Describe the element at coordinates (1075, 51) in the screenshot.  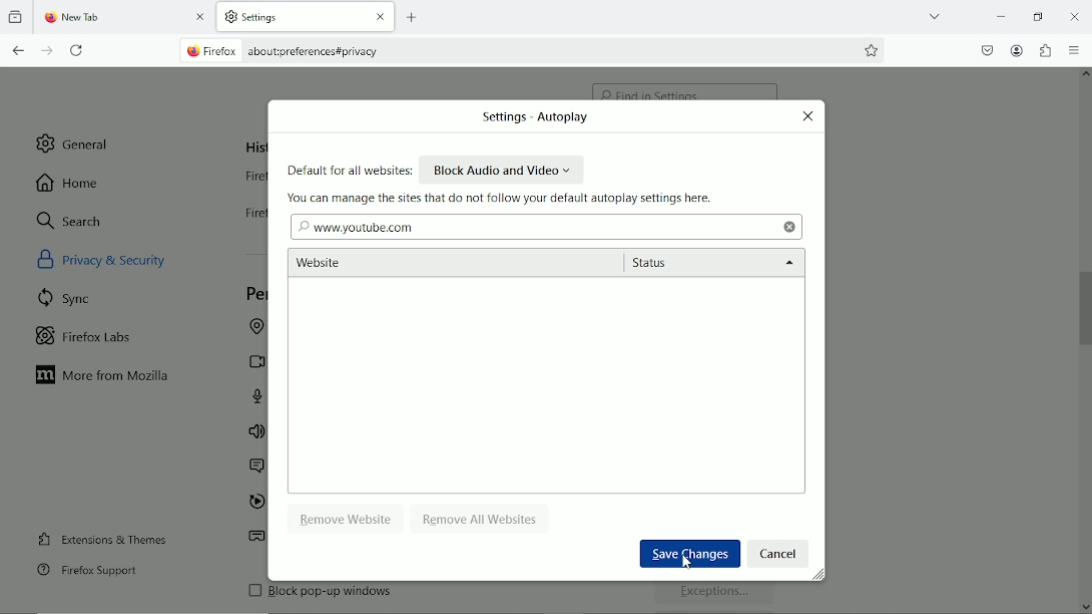
I see `Open application menu` at that location.